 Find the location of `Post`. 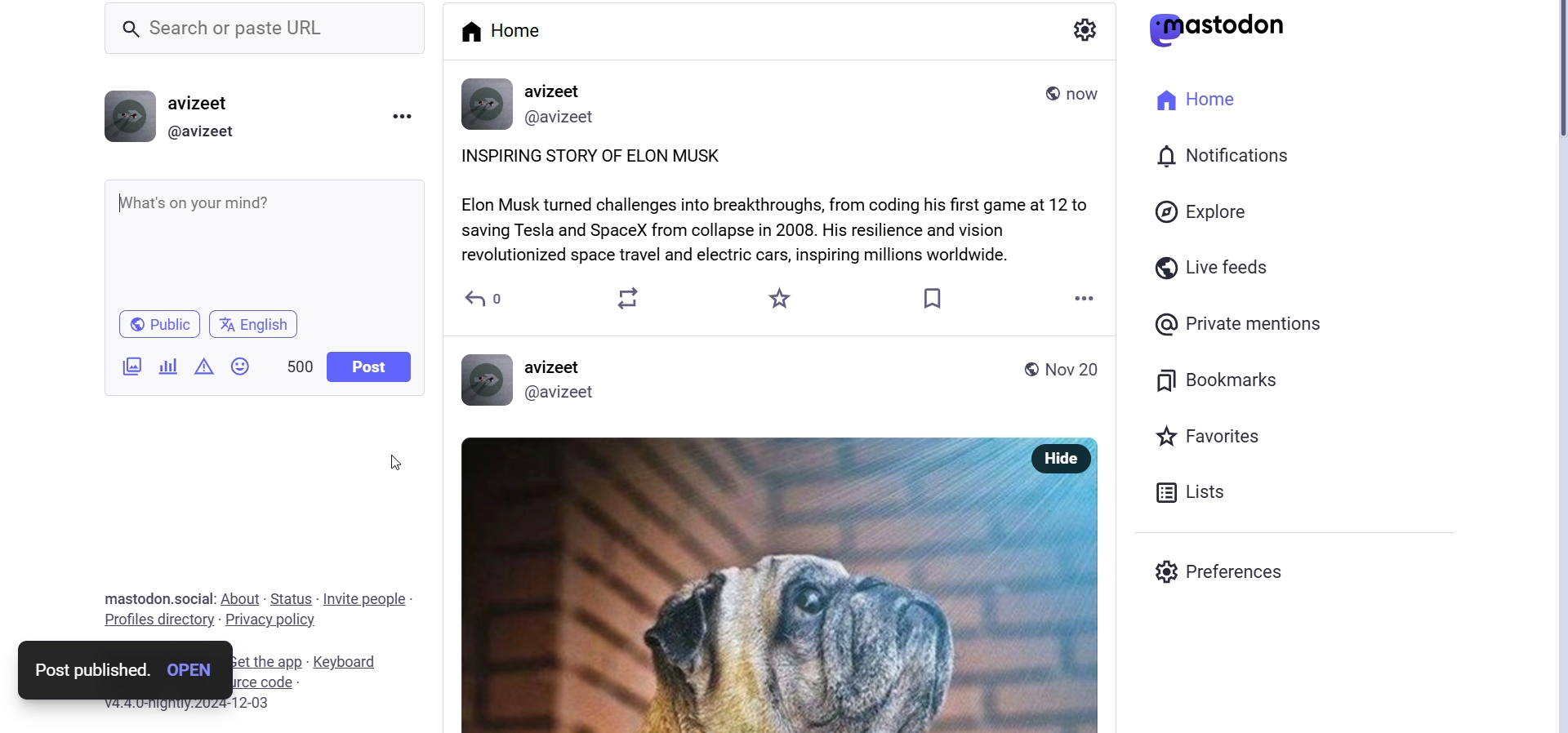

Post is located at coordinates (778, 606).